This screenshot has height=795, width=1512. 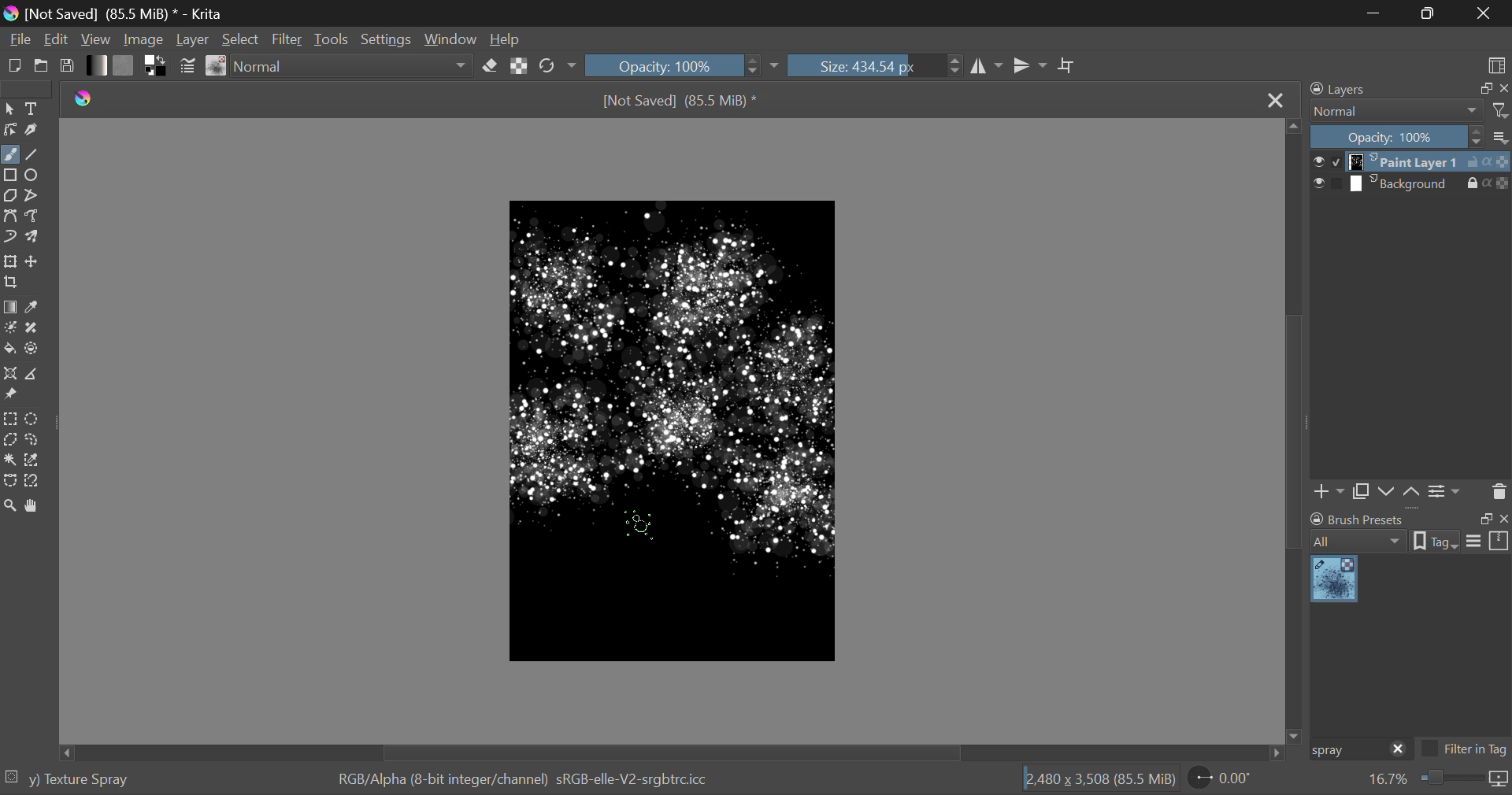 I want to click on restore, so click(x=1483, y=89).